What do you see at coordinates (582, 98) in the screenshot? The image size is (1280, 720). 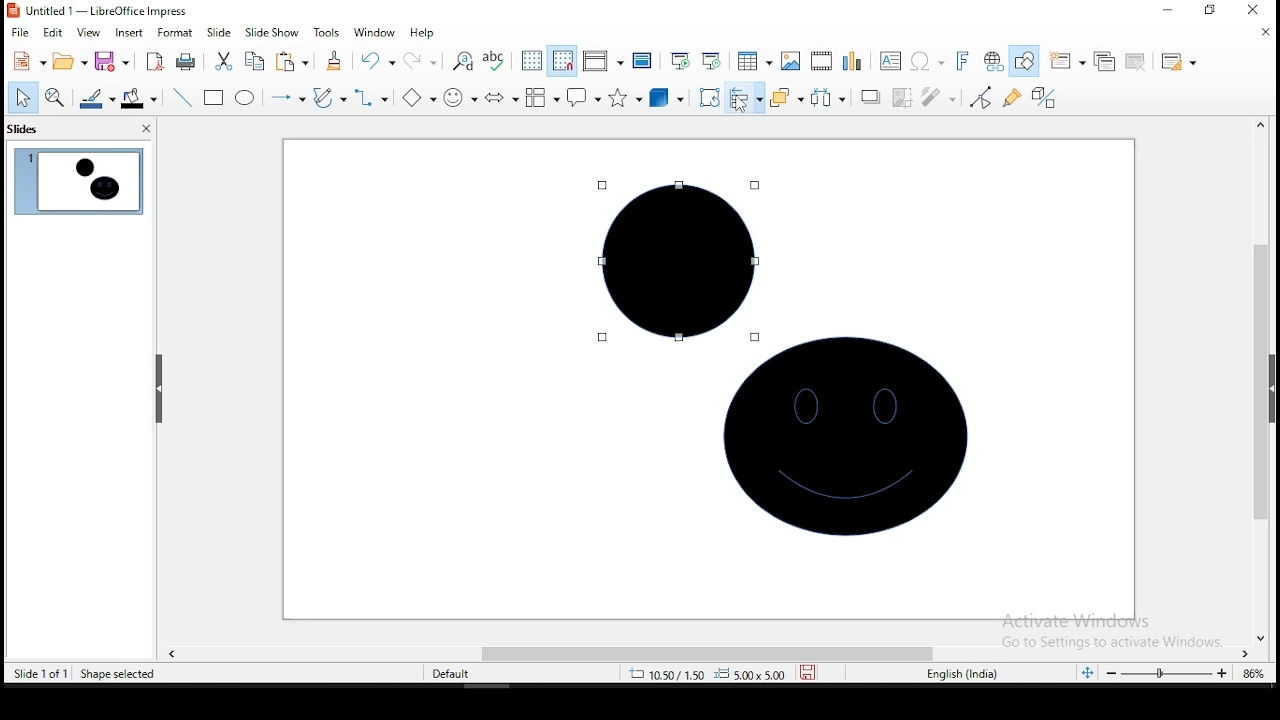 I see `callout shape` at bounding box center [582, 98].